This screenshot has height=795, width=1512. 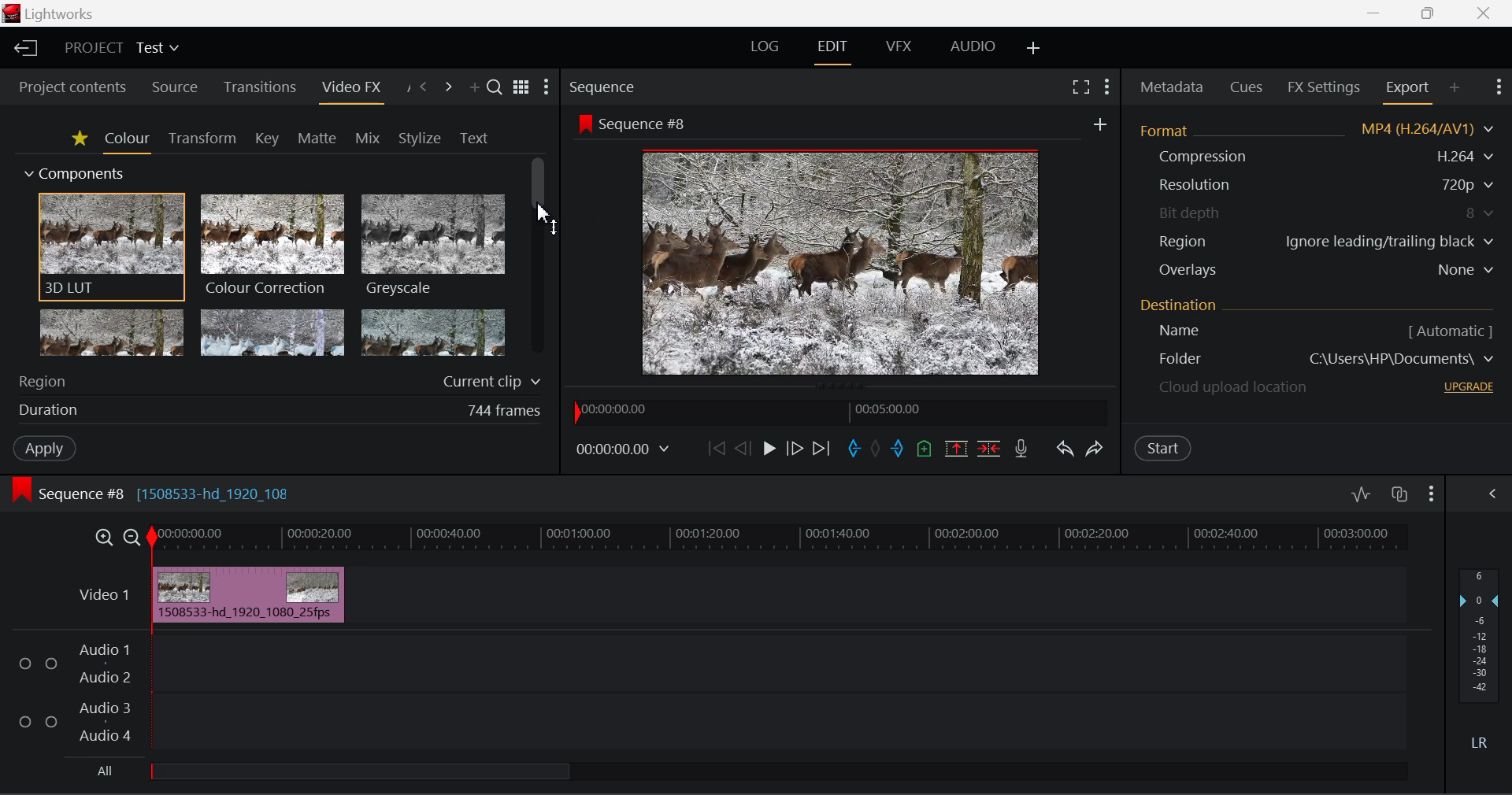 I want to click on Back to Homepage, so click(x=24, y=46).